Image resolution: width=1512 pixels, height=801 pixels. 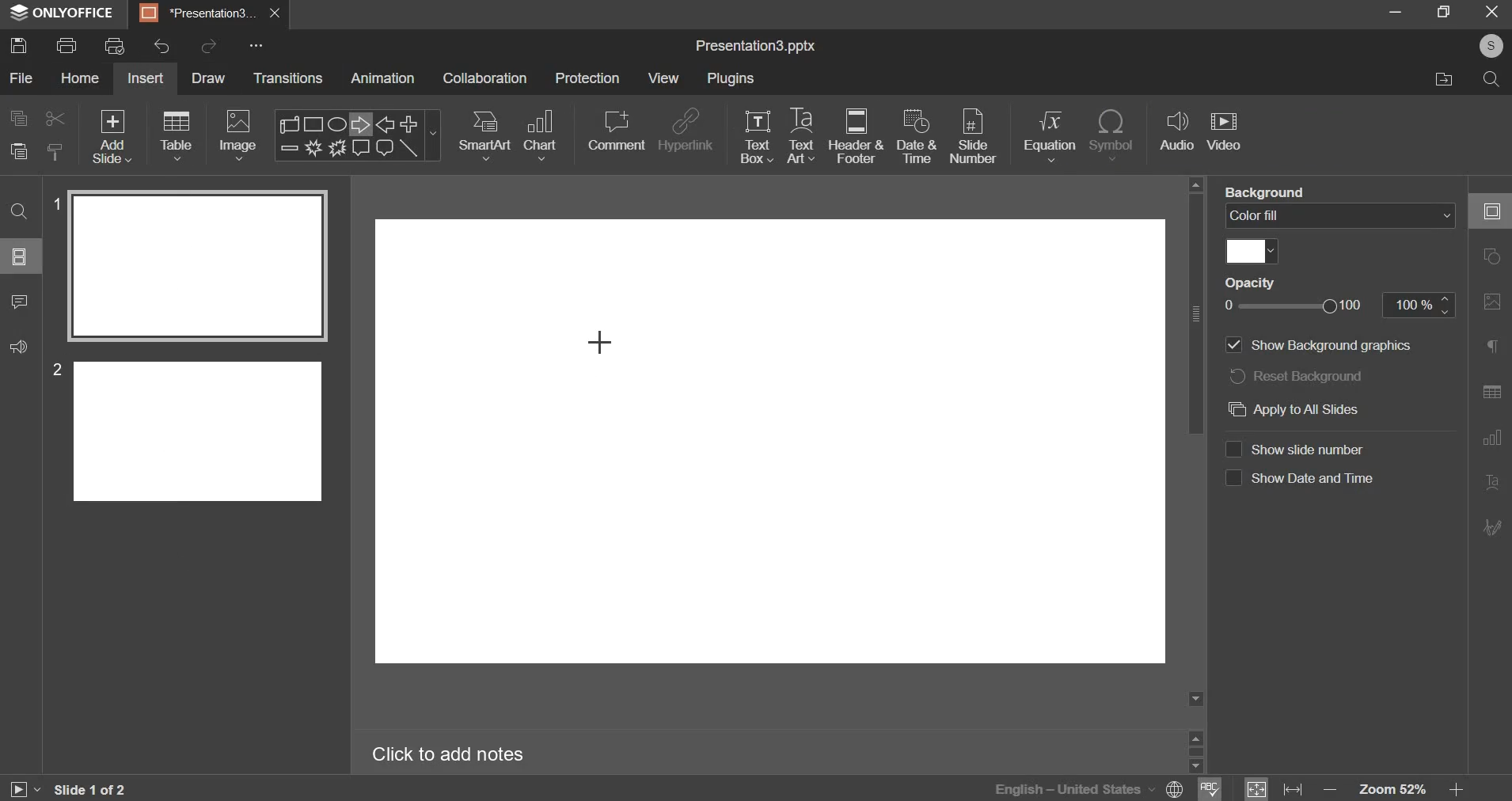 I want to click on plus, so click(x=409, y=123).